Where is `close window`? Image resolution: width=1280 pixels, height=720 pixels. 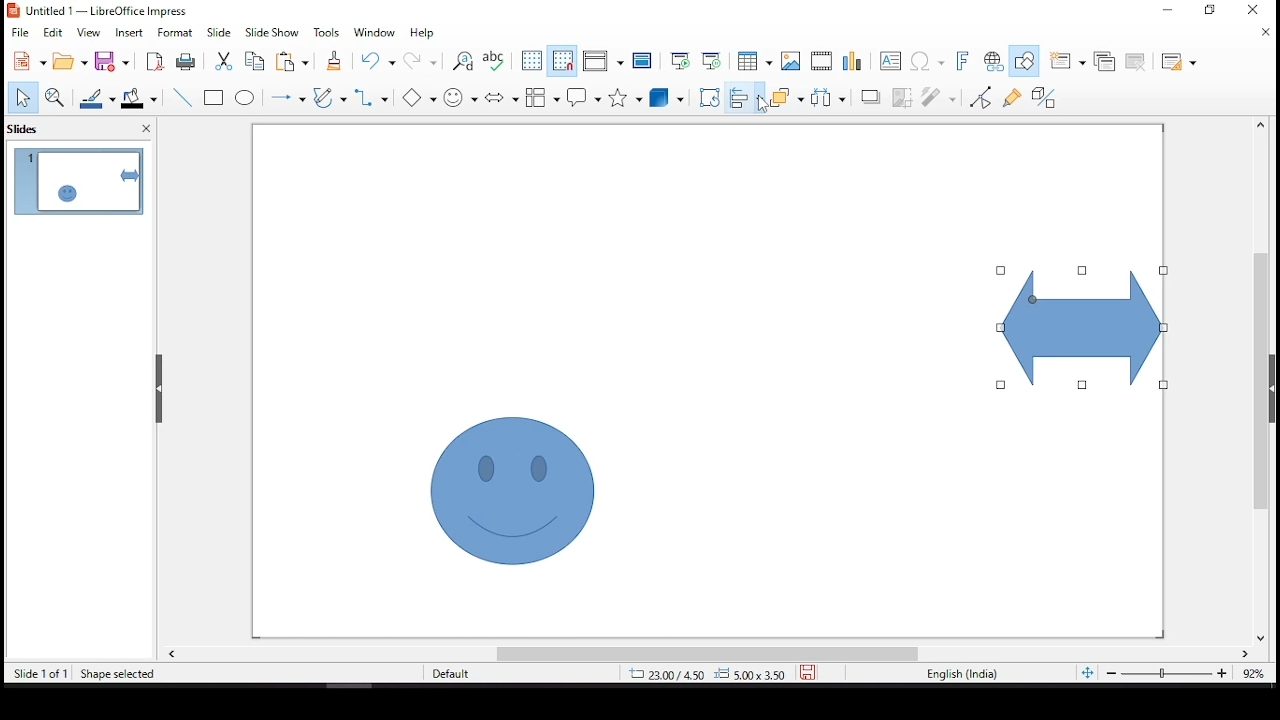
close window is located at coordinates (1252, 10).